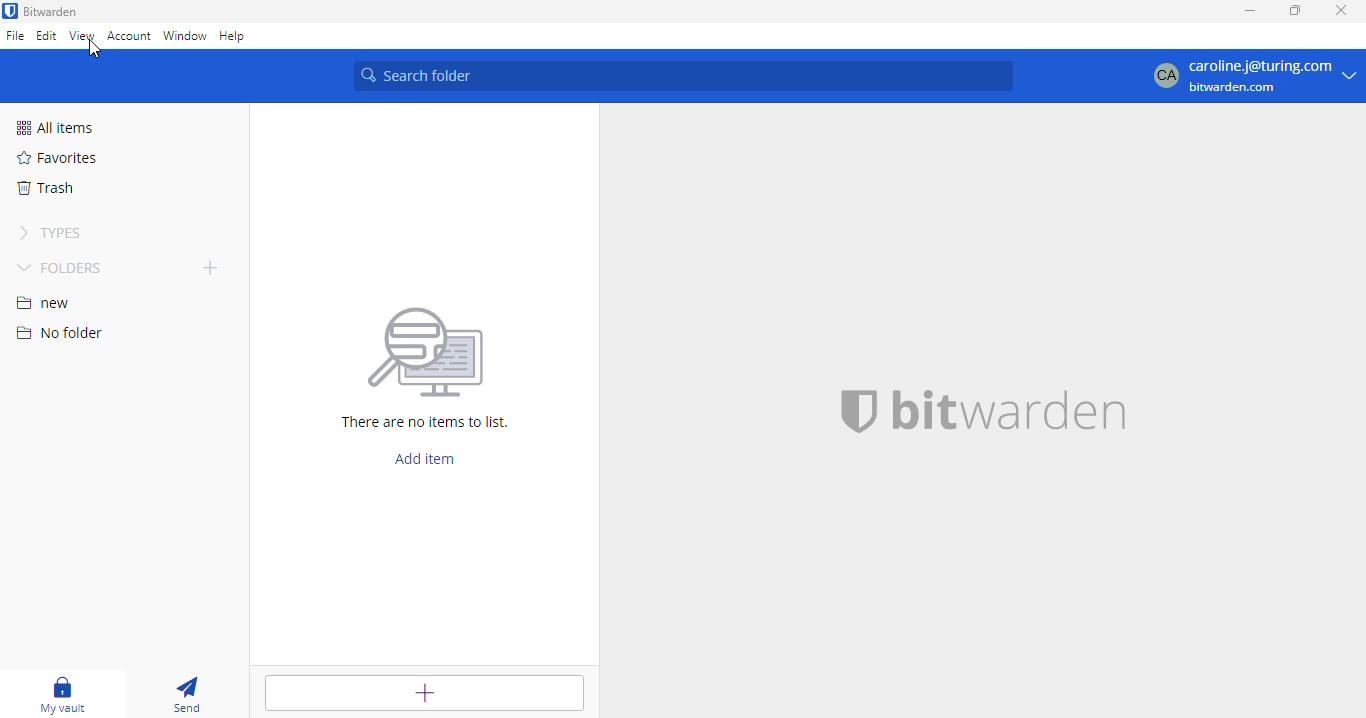 This screenshot has height=718, width=1366. What do you see at coordinates (426, 458) in the screenshot?
I see `add item` at bounding box center [426, 458].